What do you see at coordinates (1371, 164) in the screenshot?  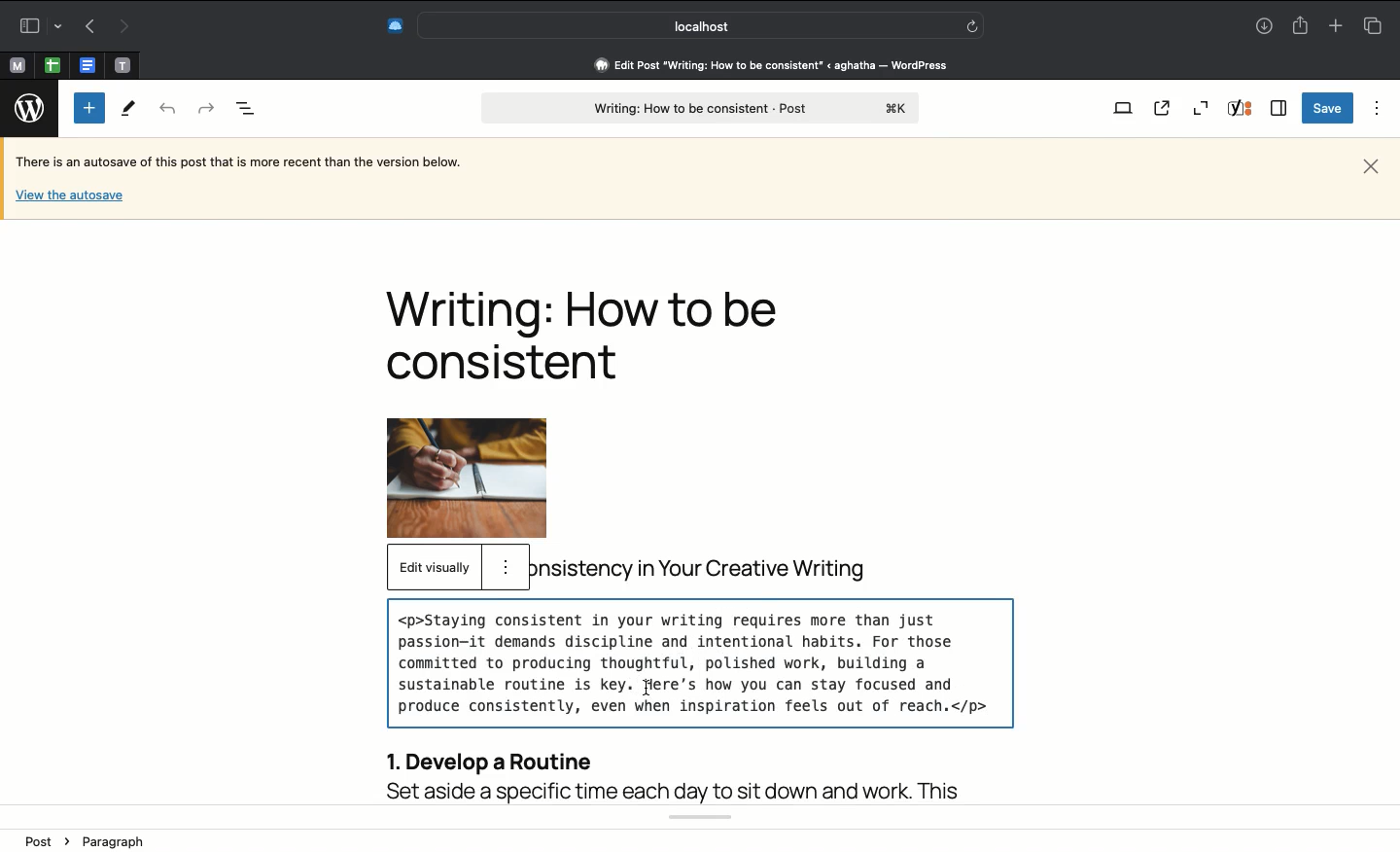 I see `Close` at bounding box center [1371, 164].